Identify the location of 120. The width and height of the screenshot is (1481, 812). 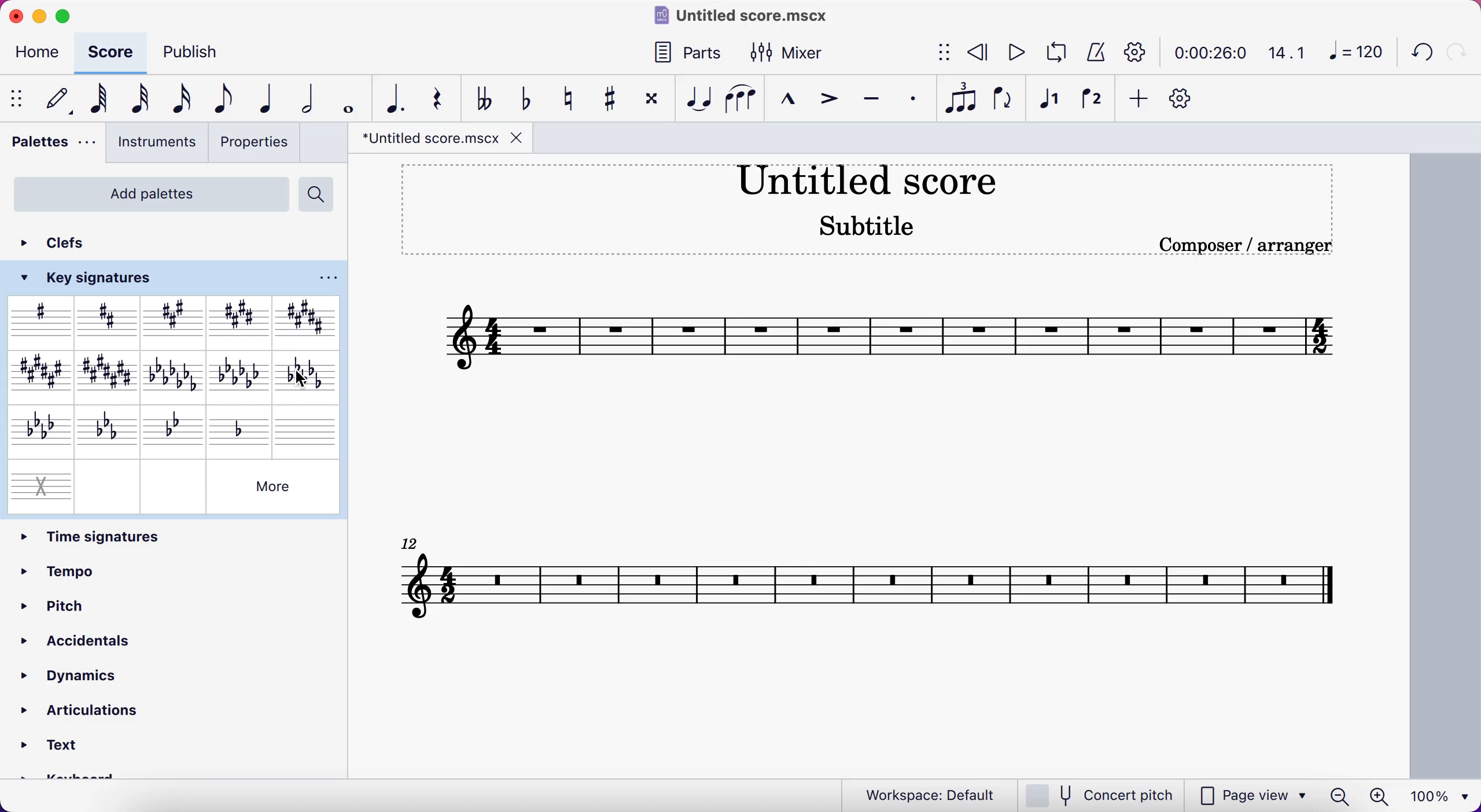
(1354, 51).